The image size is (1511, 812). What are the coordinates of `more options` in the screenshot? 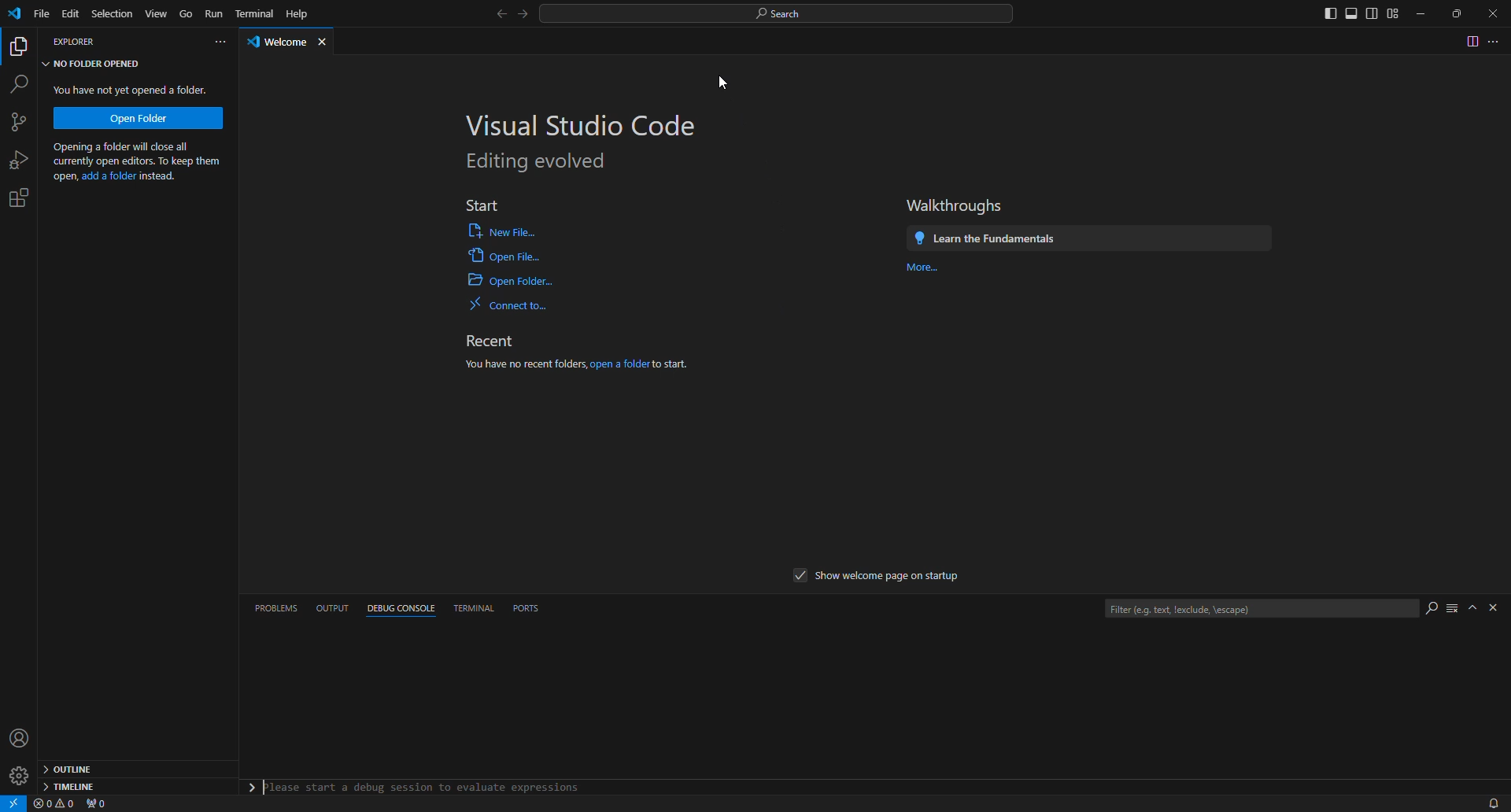 It's located at (1498, 42).